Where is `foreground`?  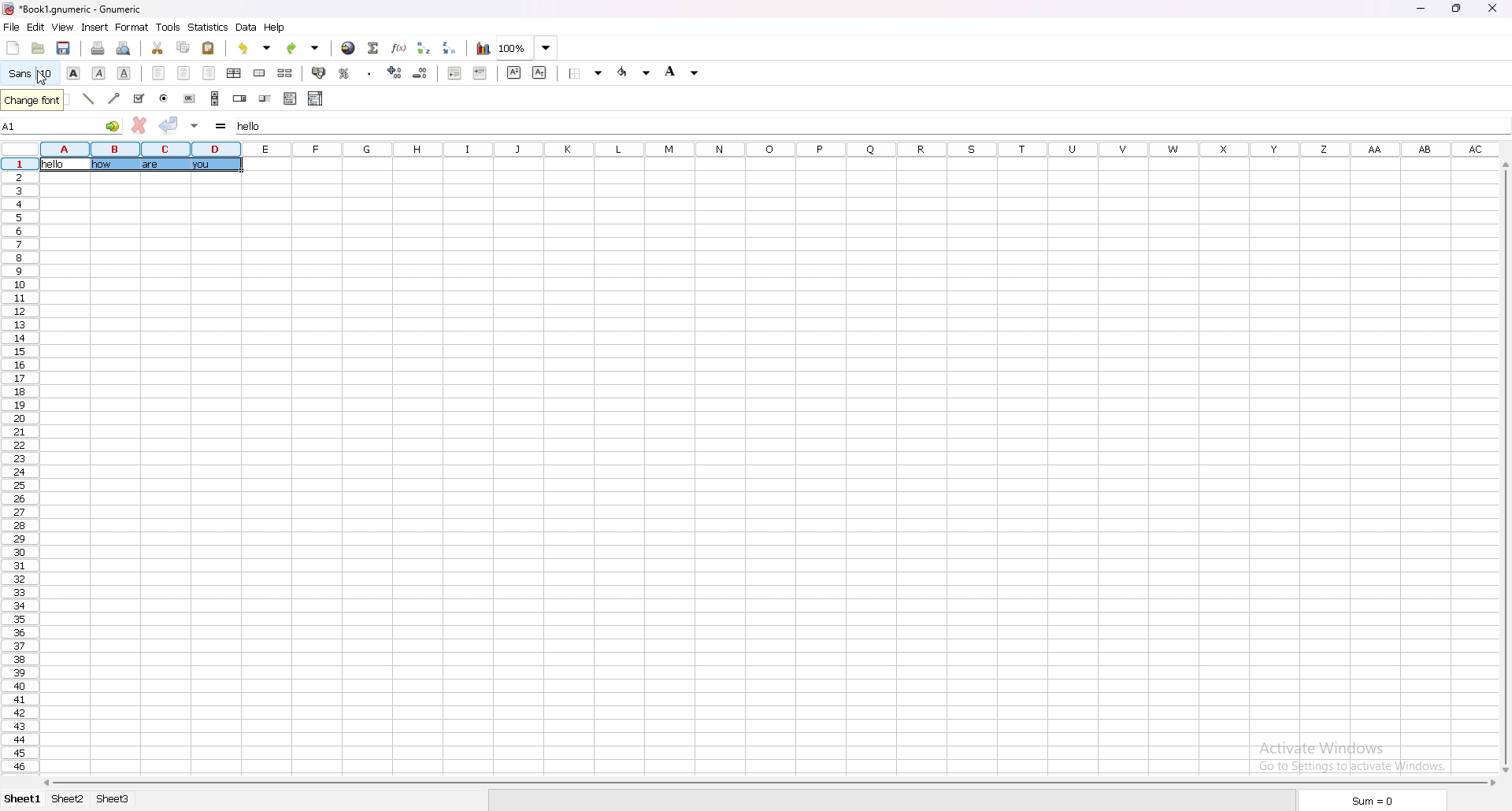 foreground is located at coordinates (634, 72).